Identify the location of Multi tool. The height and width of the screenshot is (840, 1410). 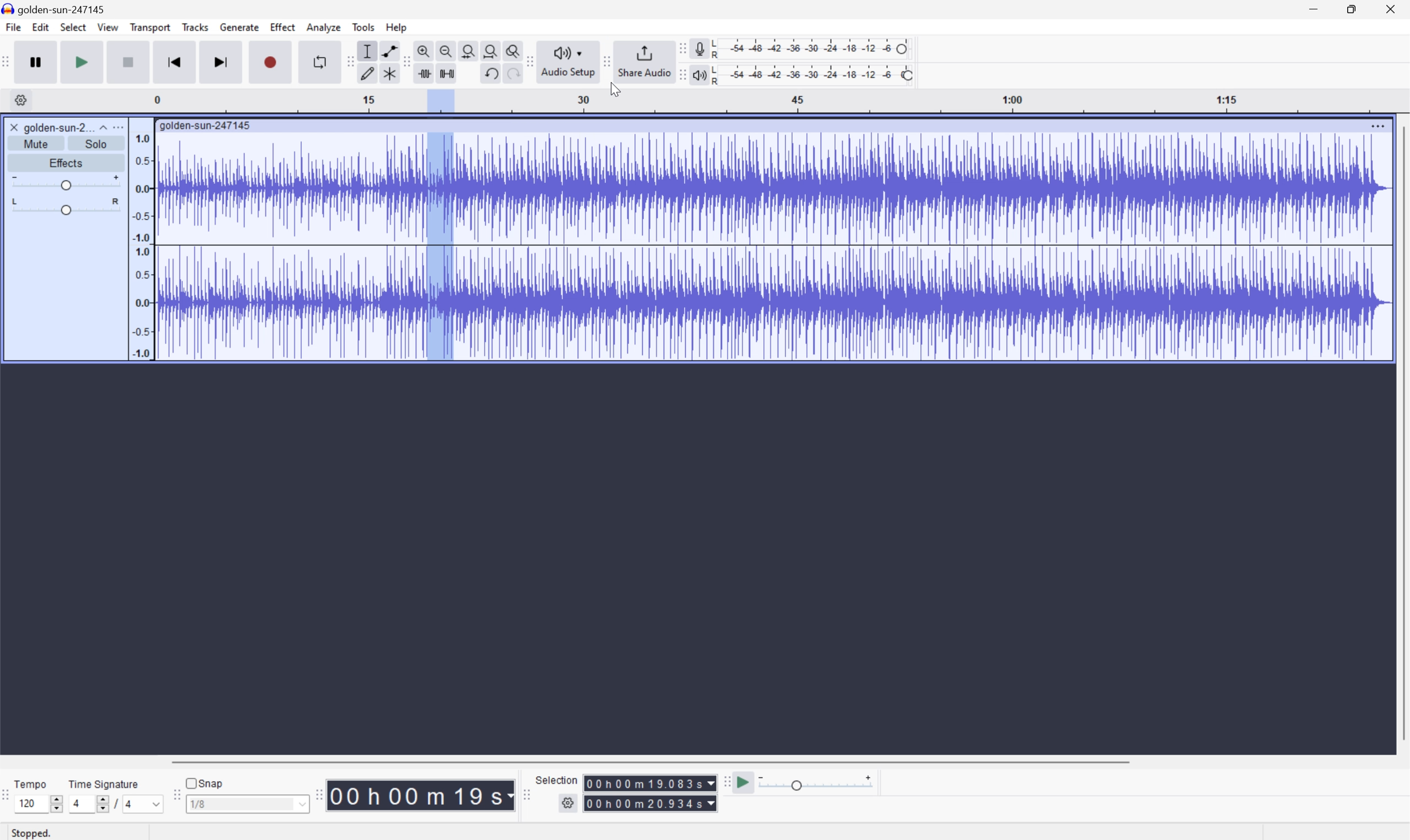
(391, 72).